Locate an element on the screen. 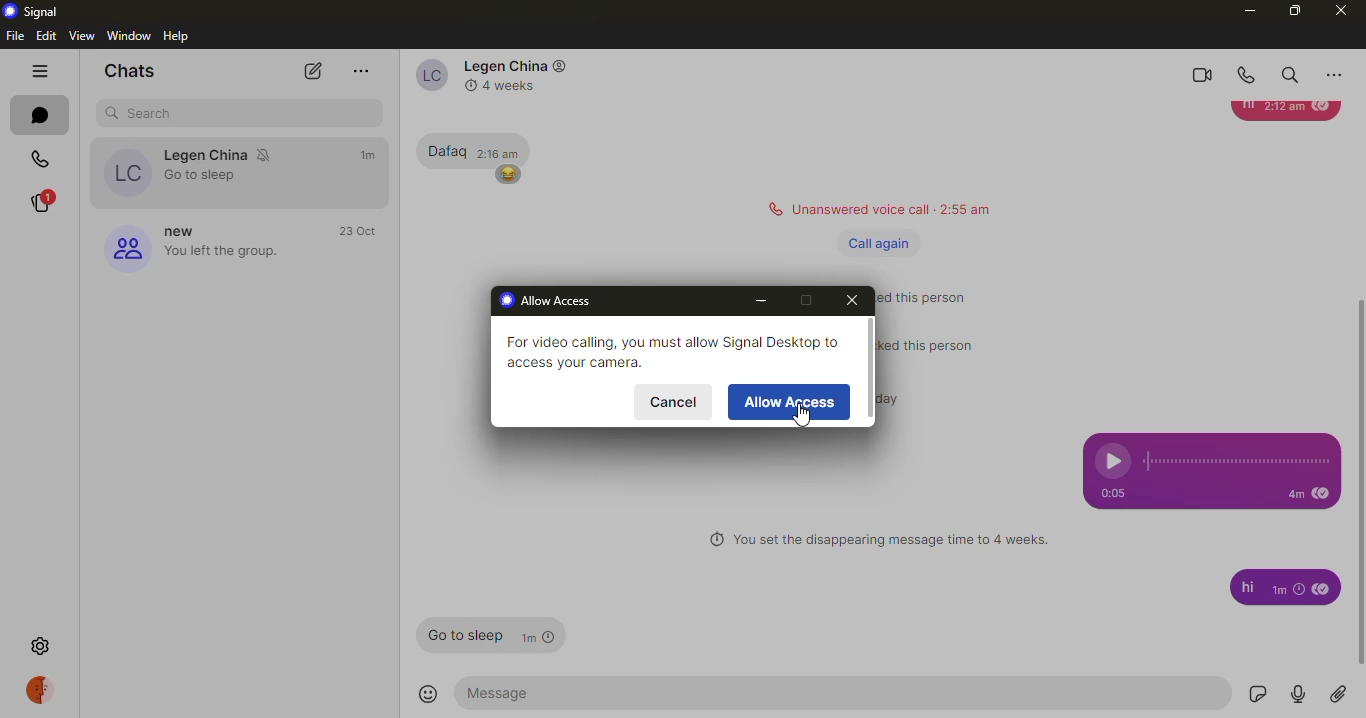 The height and width of the screenshot is (718, 1366). Legan china is located at coordinates (204, 155).